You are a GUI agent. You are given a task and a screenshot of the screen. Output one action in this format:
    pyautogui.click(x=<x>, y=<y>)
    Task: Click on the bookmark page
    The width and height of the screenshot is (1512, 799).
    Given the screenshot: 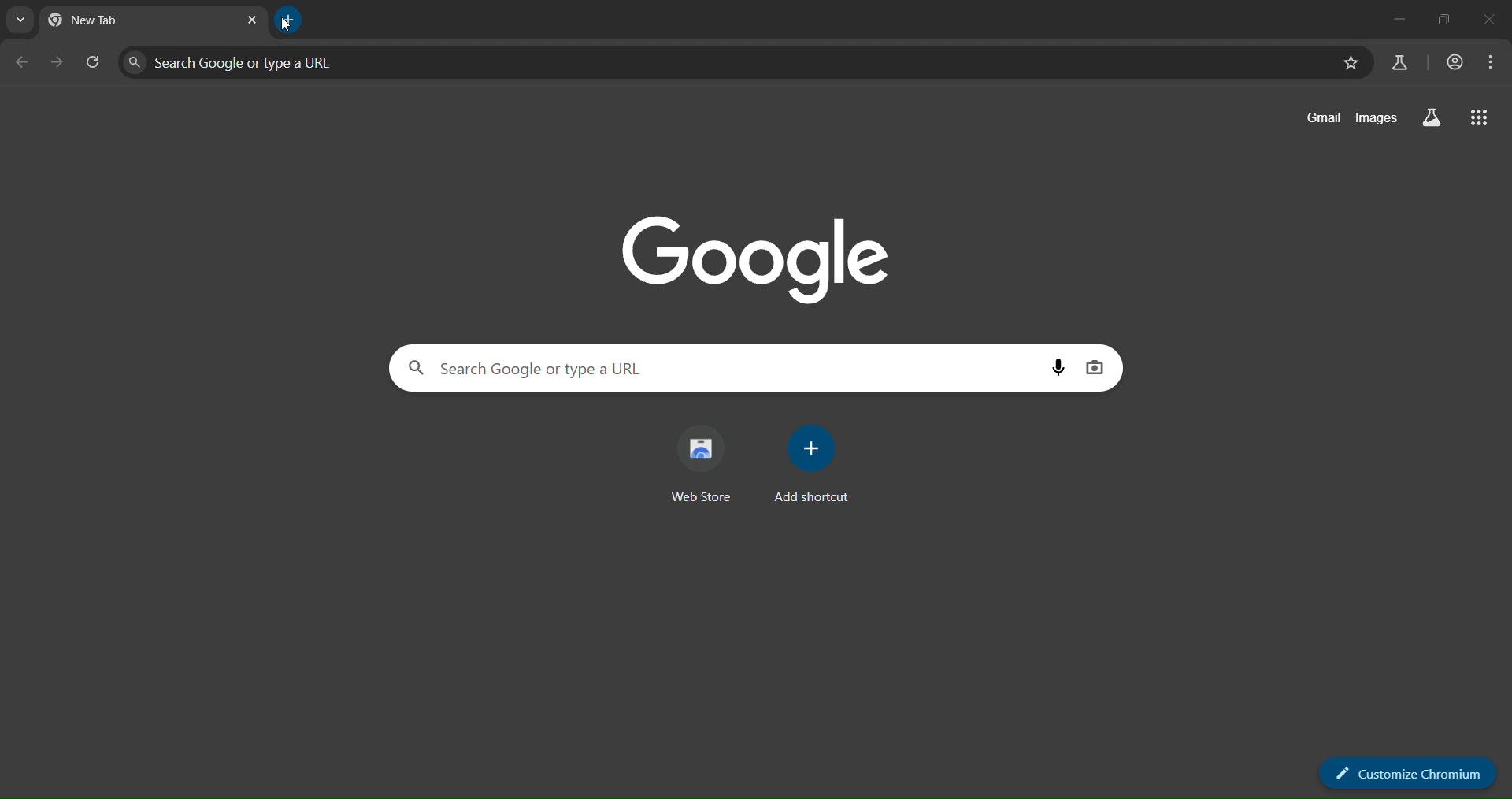 What is the action you would take?
    pyautogui.click(x=1348, y=63)
    